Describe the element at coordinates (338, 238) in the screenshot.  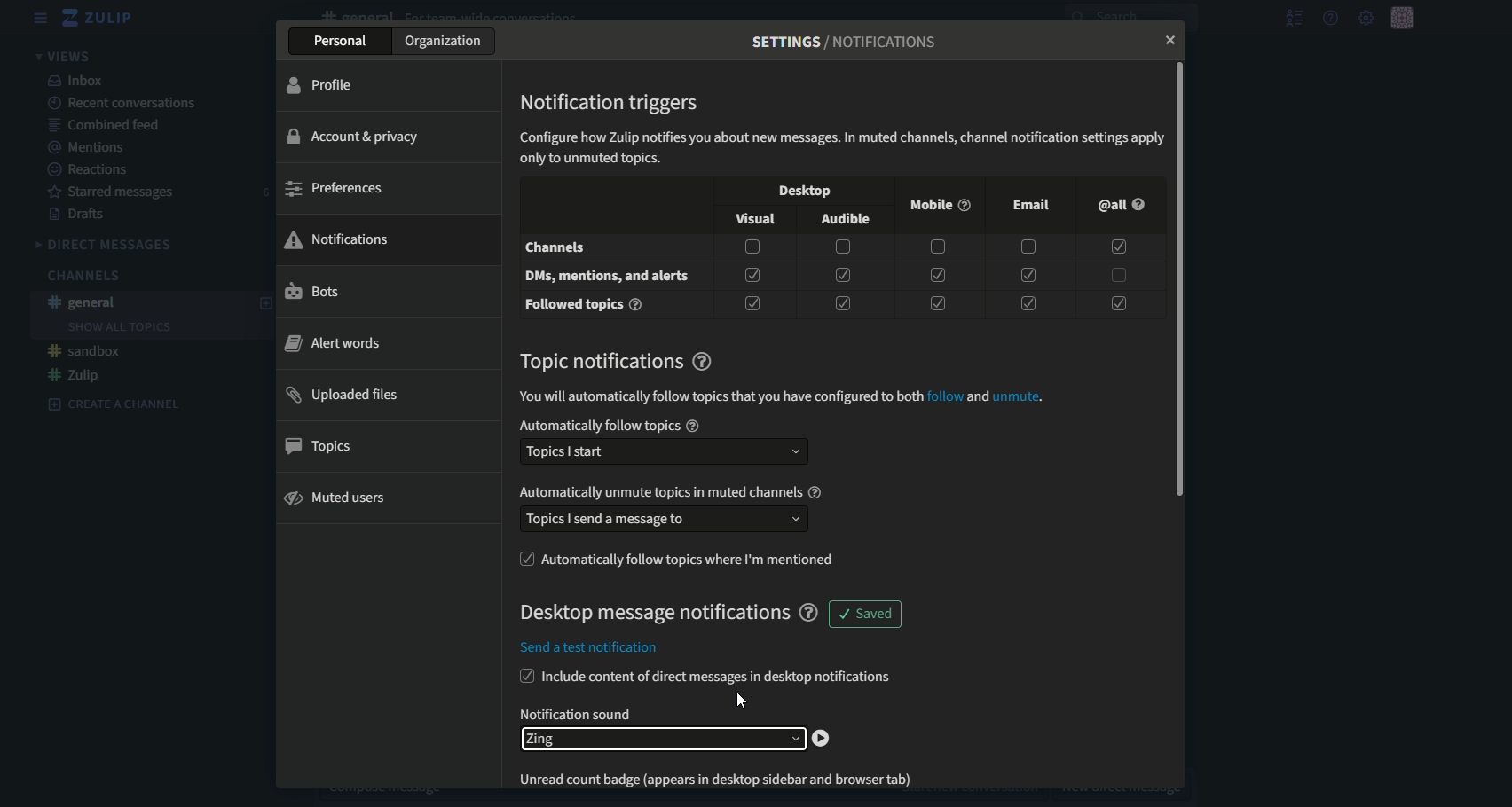
I see `notifications` at that location.